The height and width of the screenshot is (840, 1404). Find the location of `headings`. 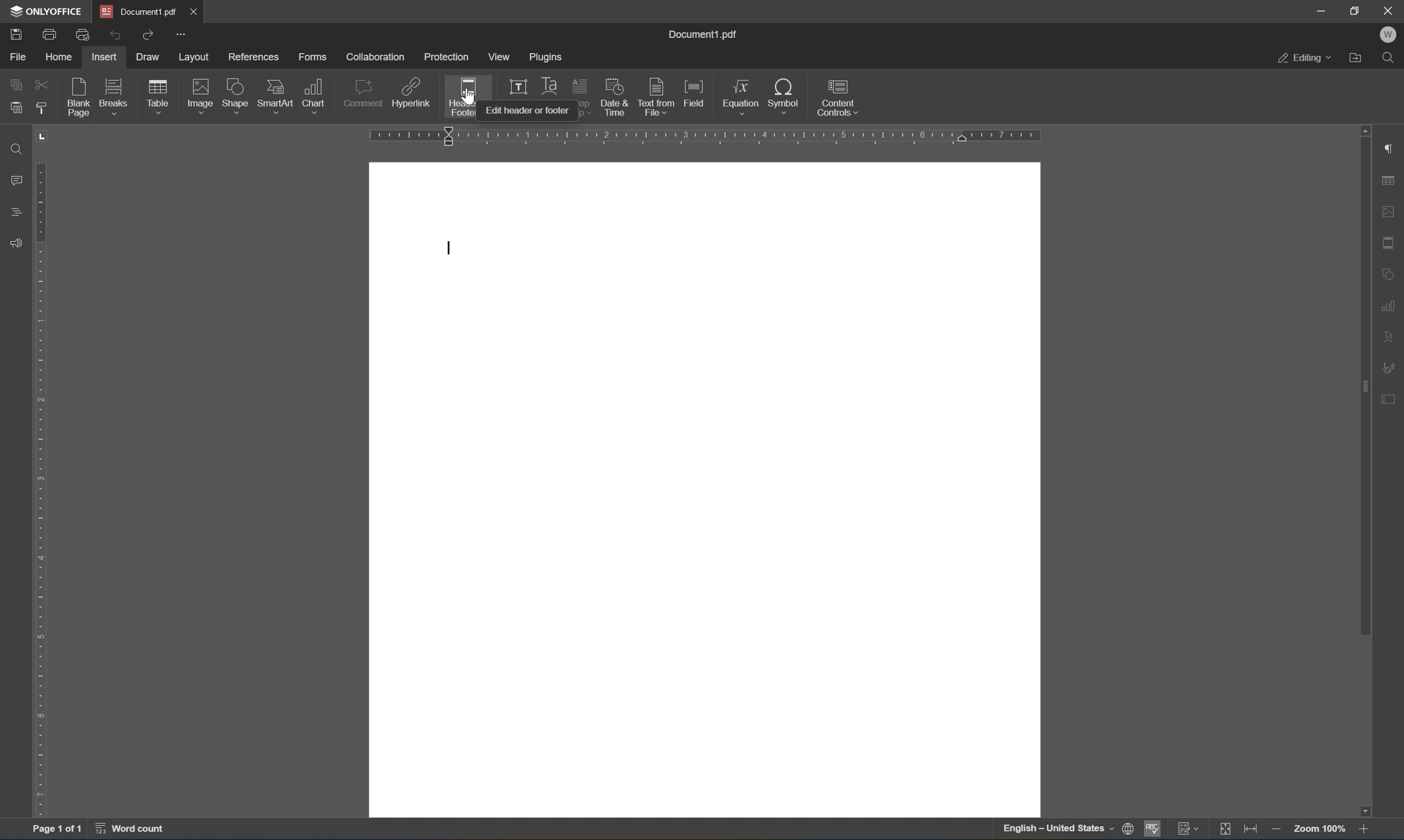

headings is located at coordinates (15, 212).